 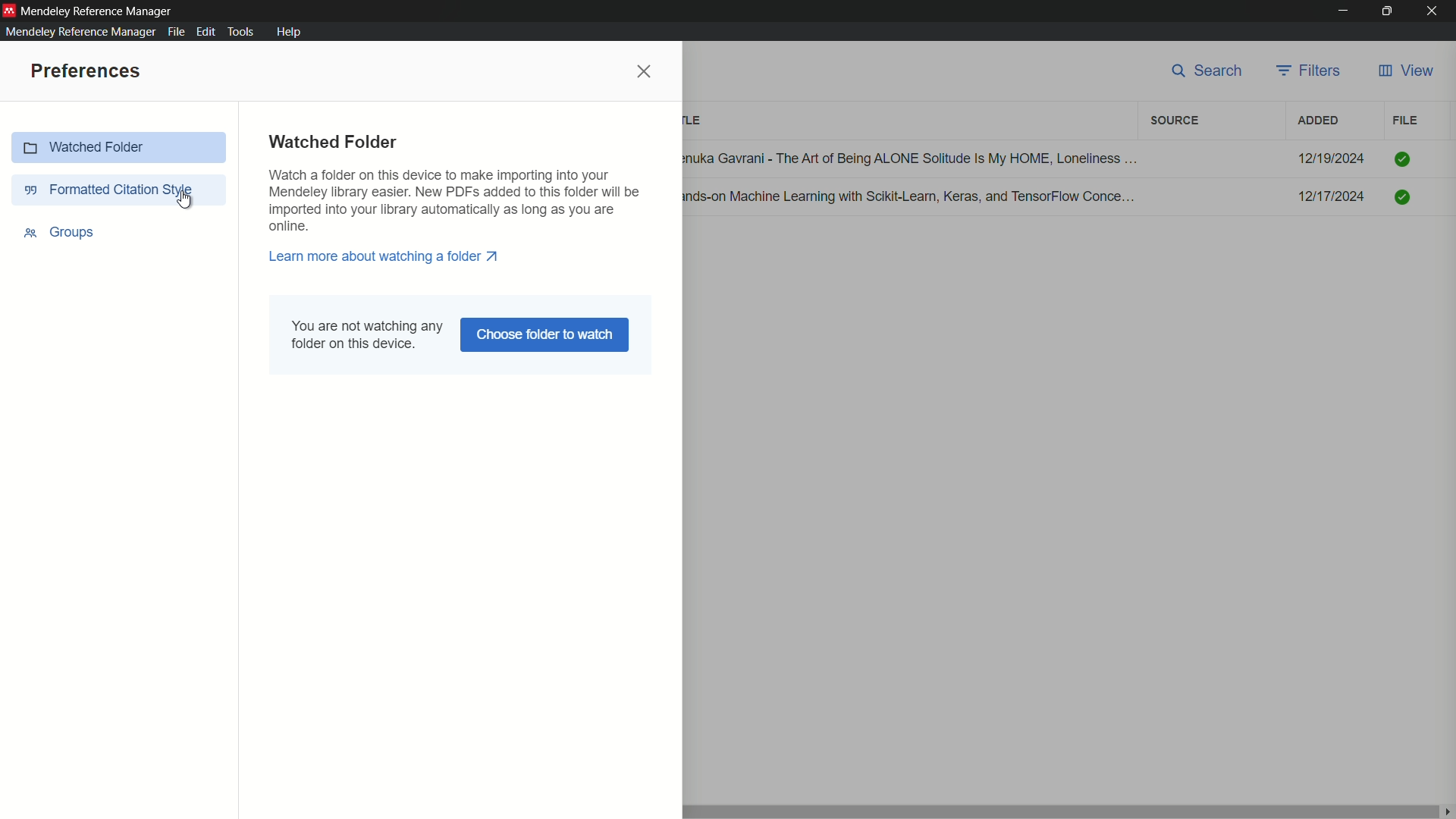 What do you see at coordinates (383, 257) in the screenshot?
I see `Learn more about watching a folder` at bounding box center [383, 257].